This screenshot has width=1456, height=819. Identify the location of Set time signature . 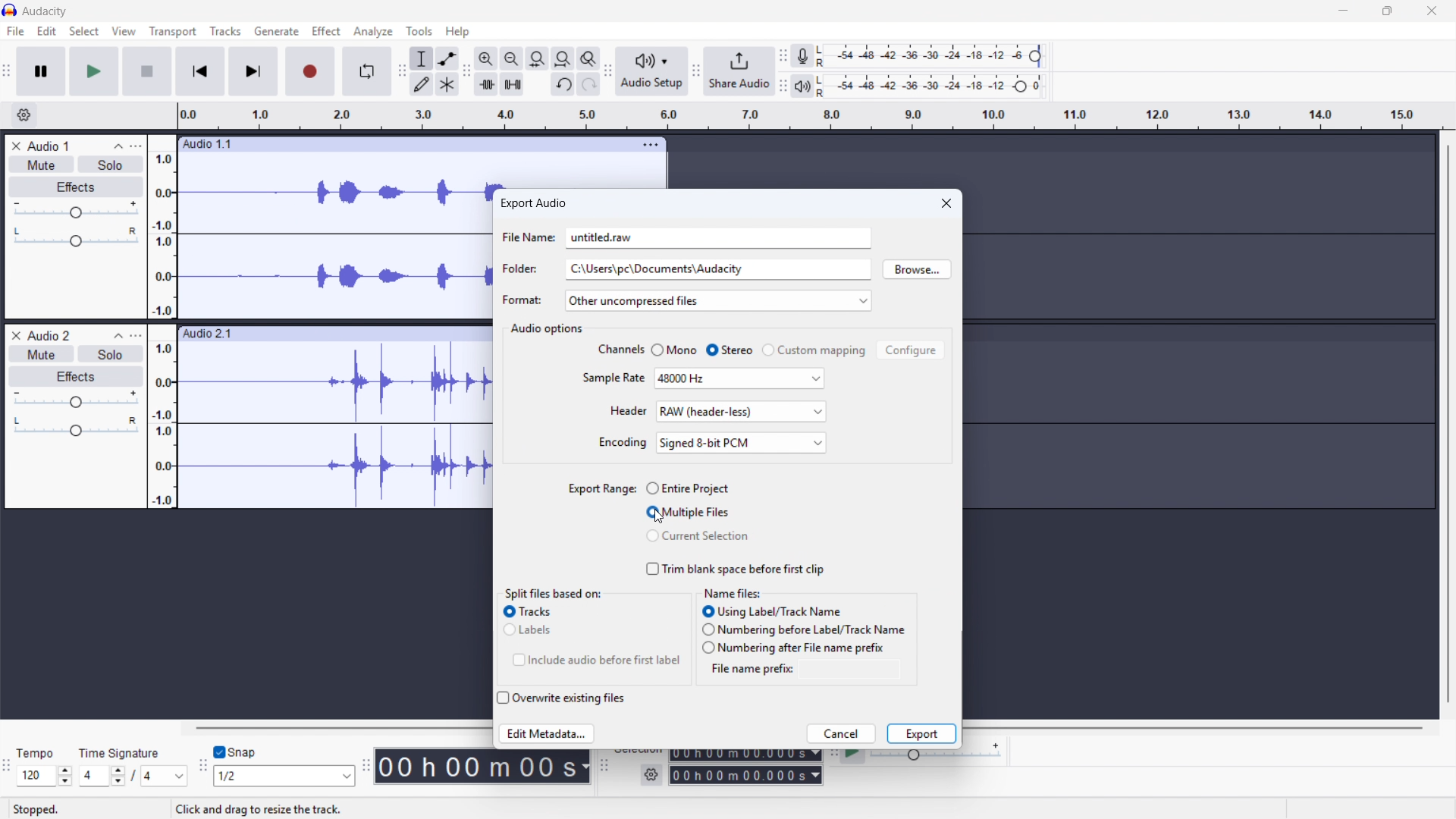
(134, 777).